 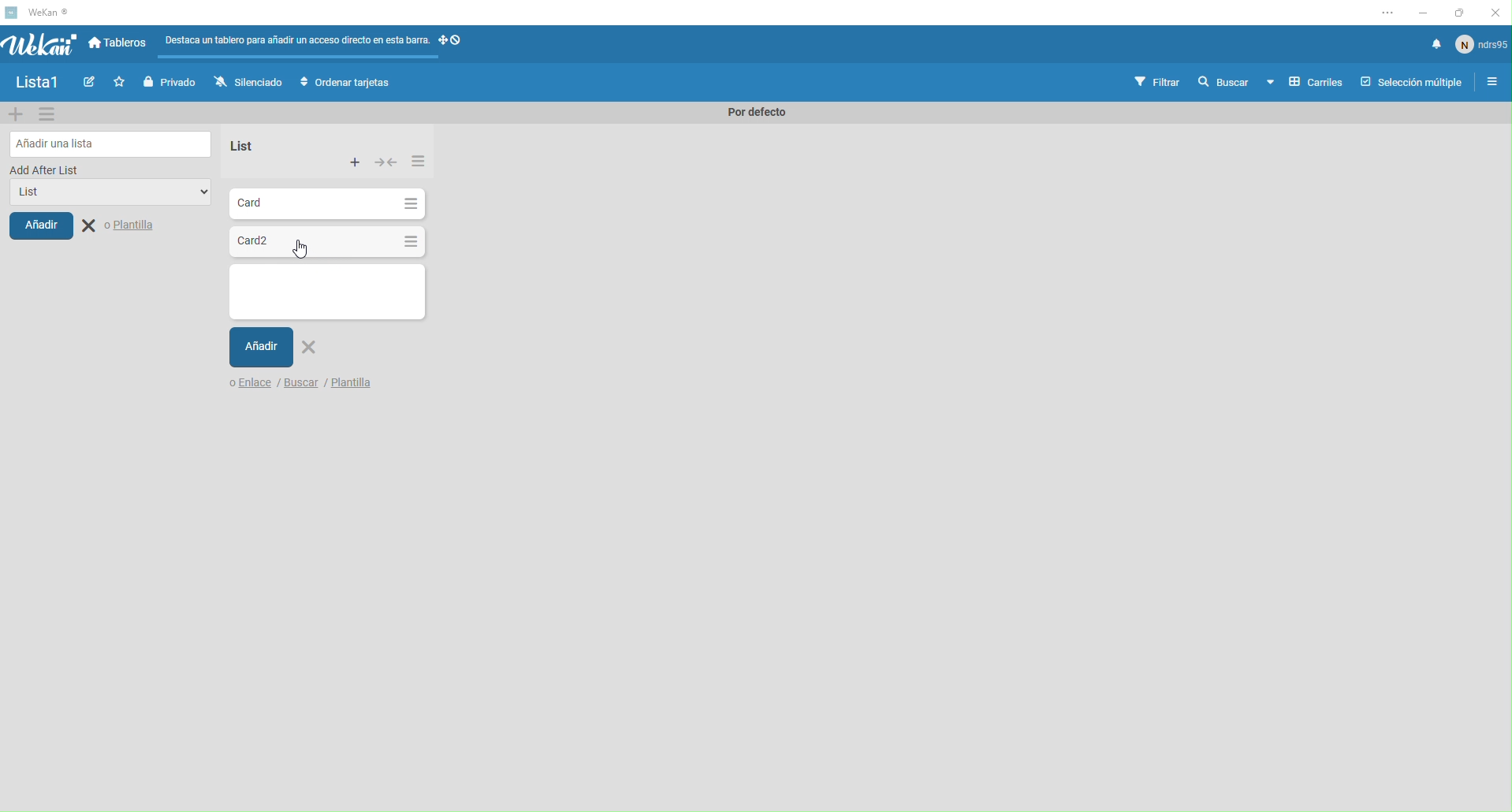 I want to click on write new, so click(x=87, y=84).